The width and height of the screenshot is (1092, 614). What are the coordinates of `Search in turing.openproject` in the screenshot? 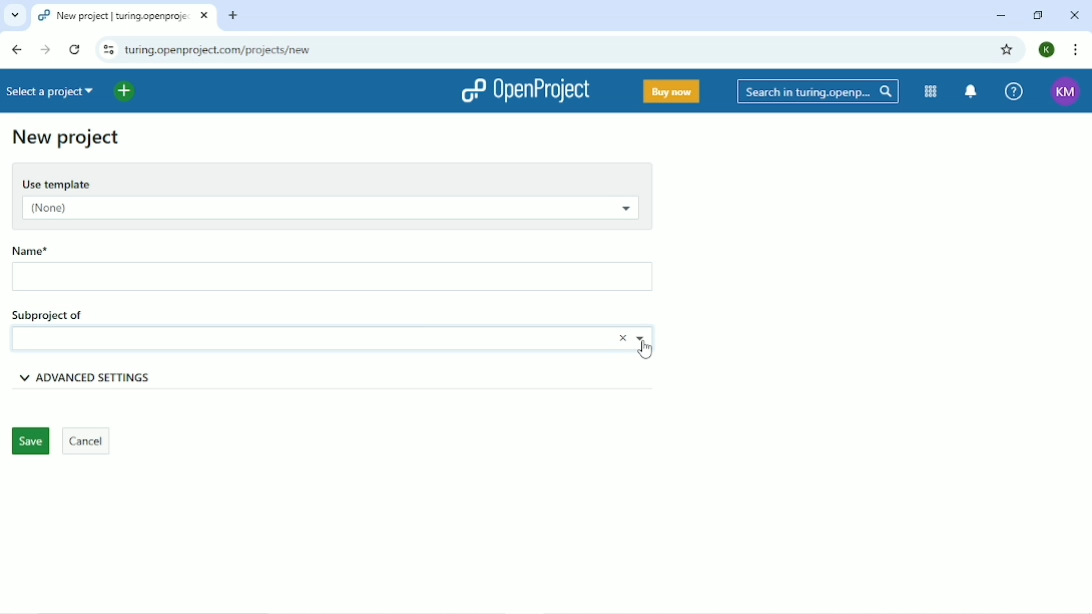 It's located at (816, 91).